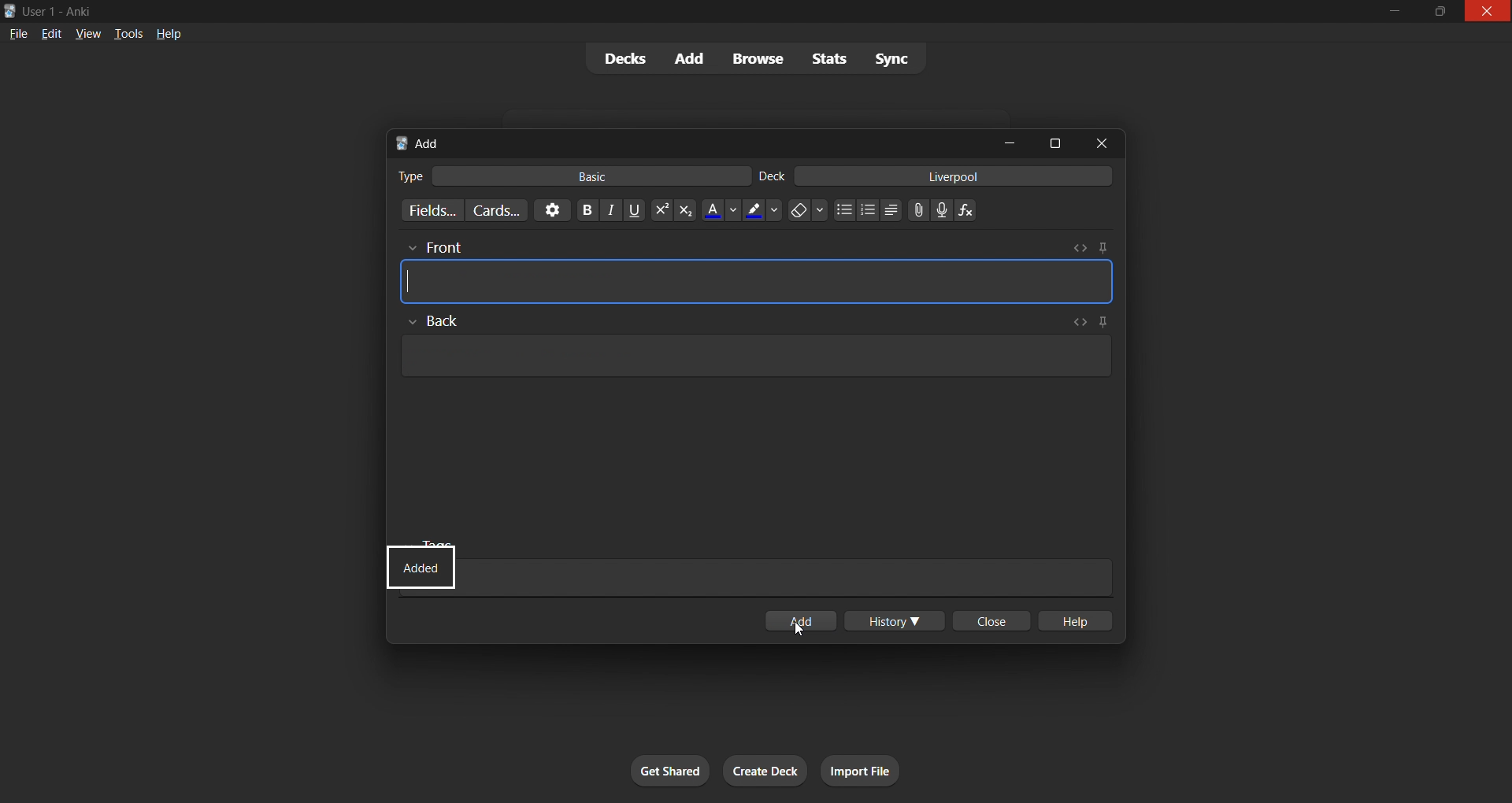 The width and height of the screenshot is (1512, 803). What do you see at coordinates (769, 768) in the screenshot?
I see `create deck` at bounding box center [769, 768].